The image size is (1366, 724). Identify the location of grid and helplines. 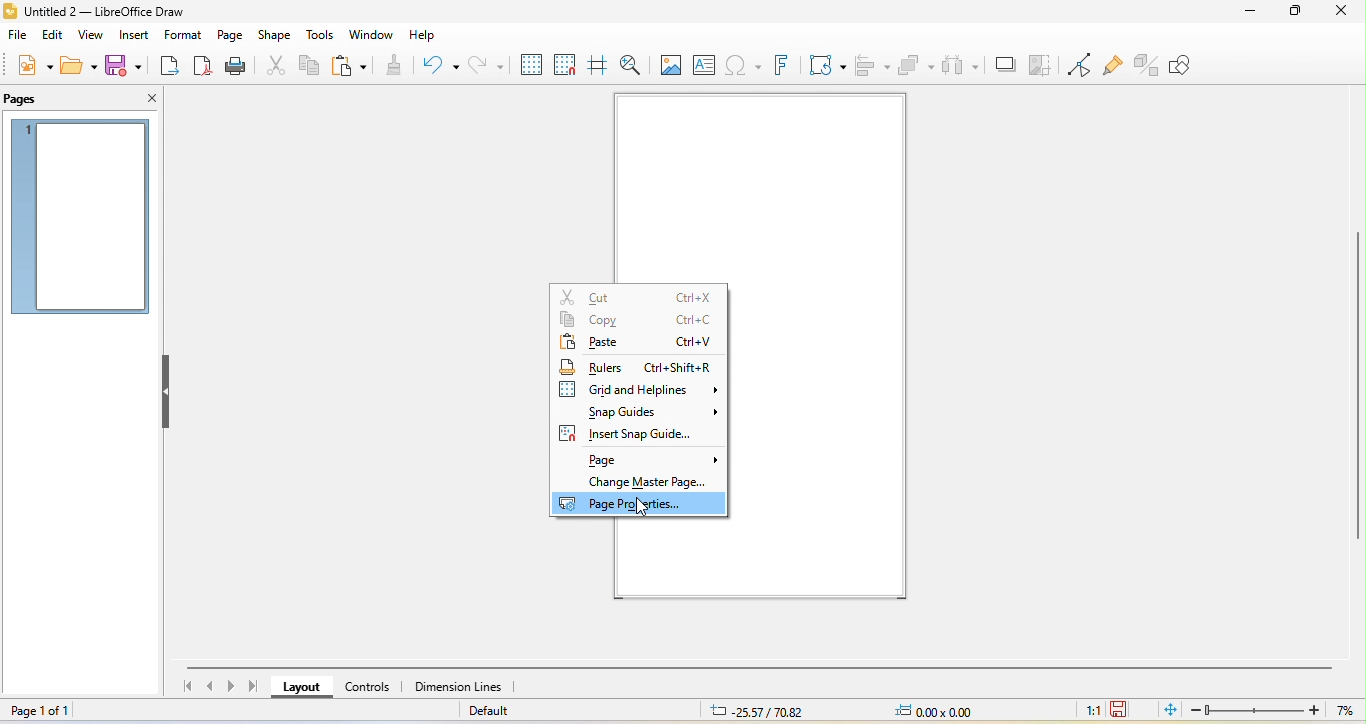
(641, 388).